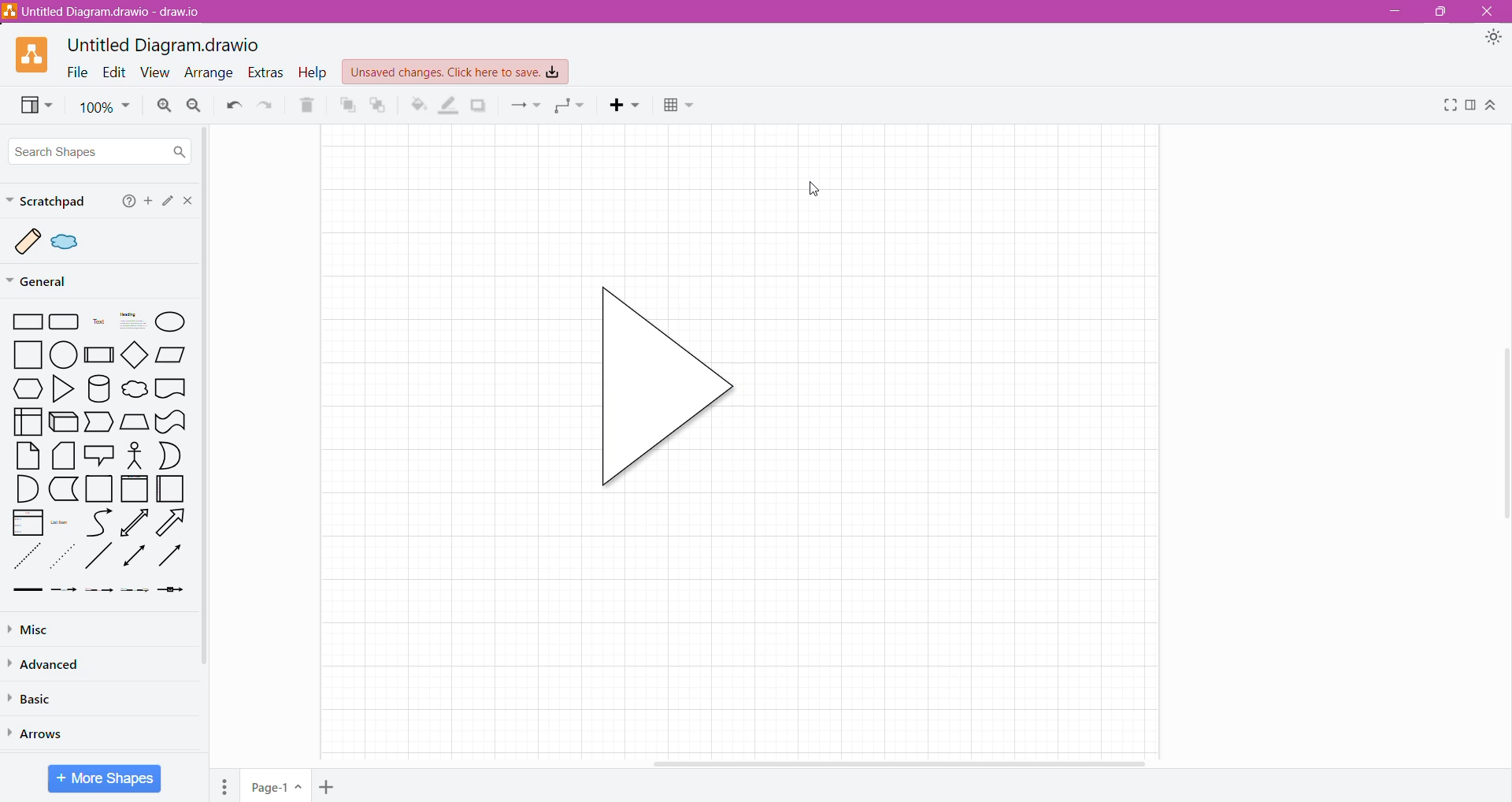 This screenshot has width=1512, height=802. What do you see at coordinates (211, 396) in the screenshot?
I see `Vertical Scroll Bar` at bounding box center [211, 396].